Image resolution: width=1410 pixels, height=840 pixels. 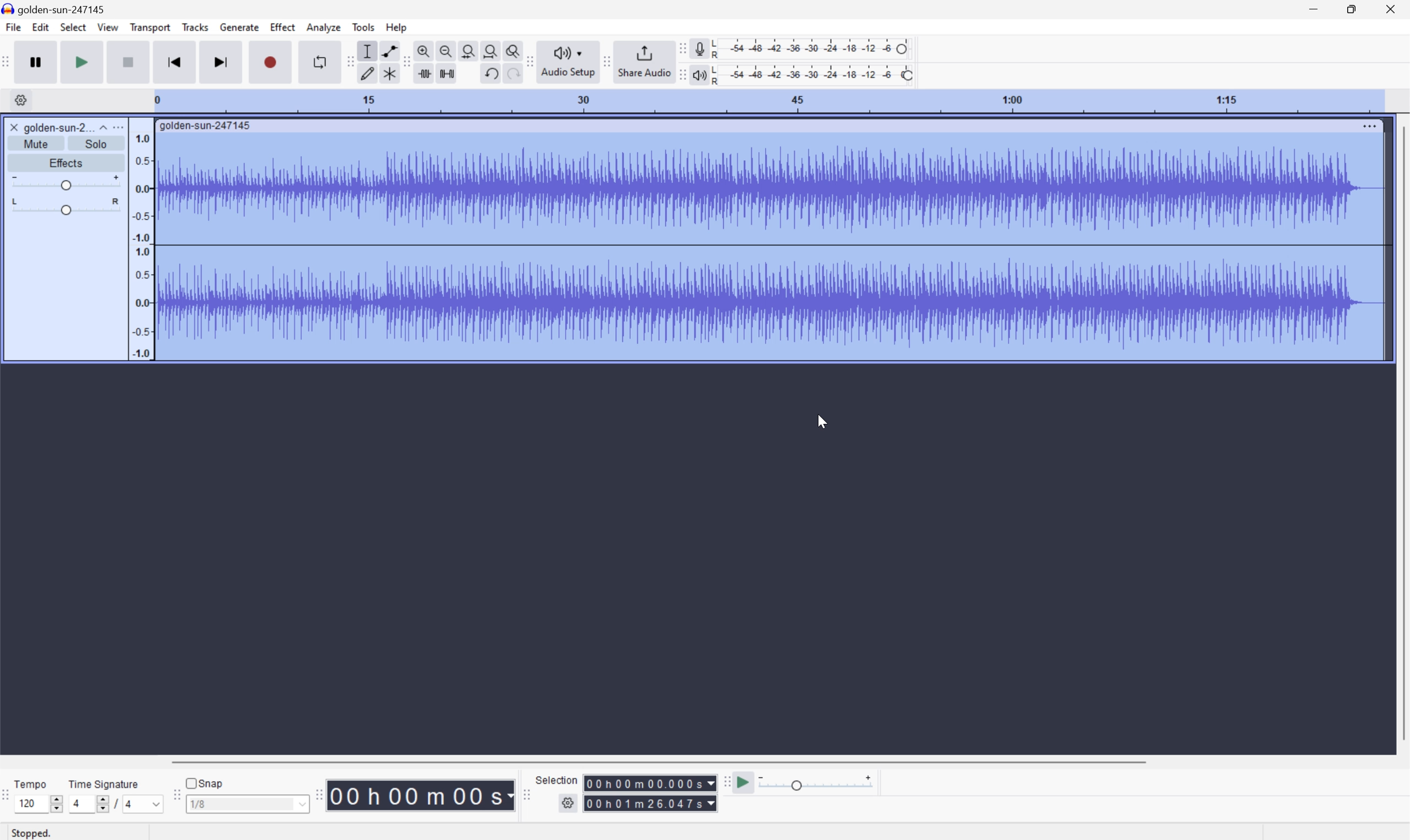 I want to click on Cursor, so click(x=819, y=425).